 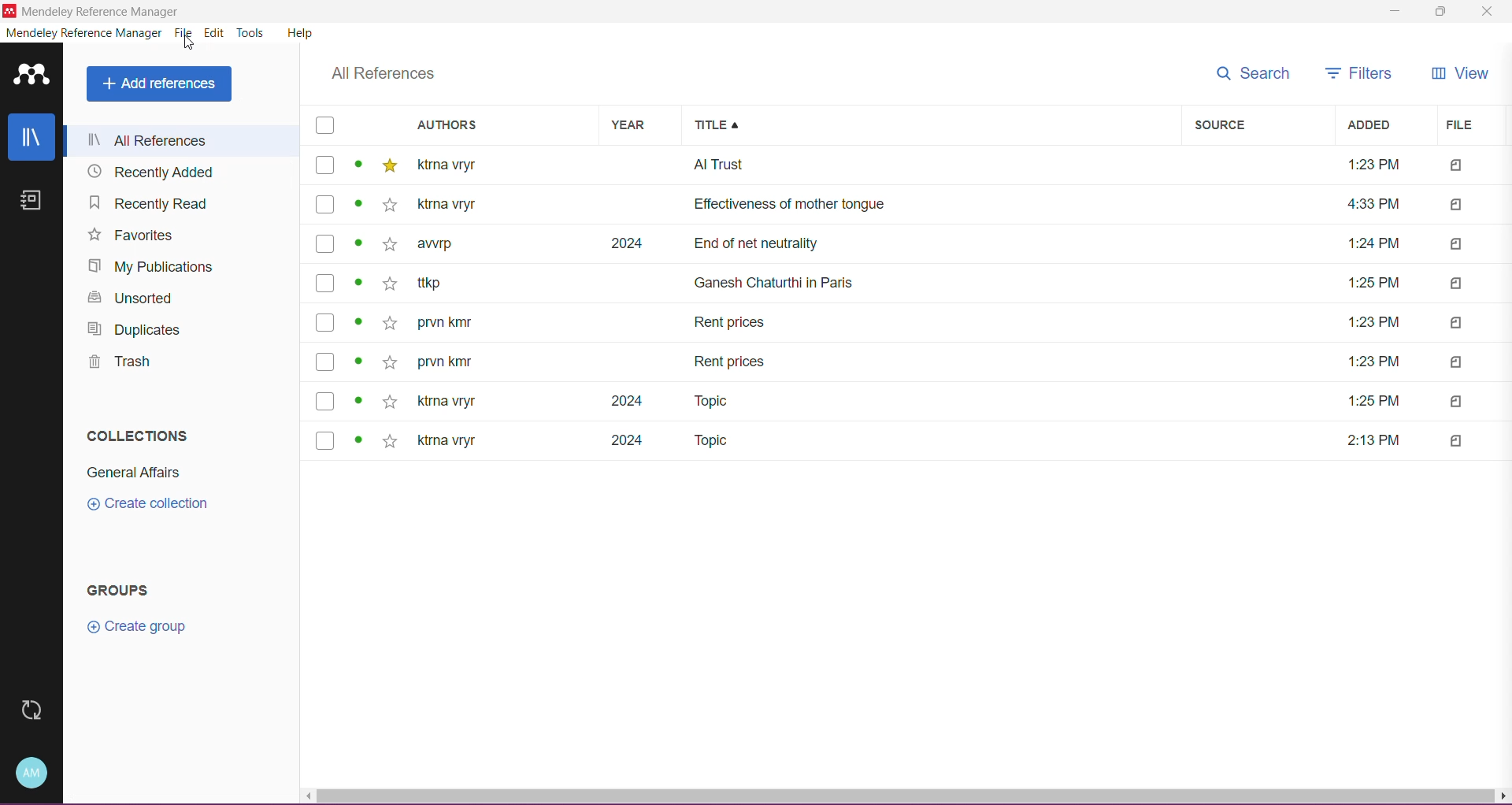 What do you see at coordinates (90, 35) in the screenshot?
I see `Mendeley Reference Manager` at bounding box center [90, 35].